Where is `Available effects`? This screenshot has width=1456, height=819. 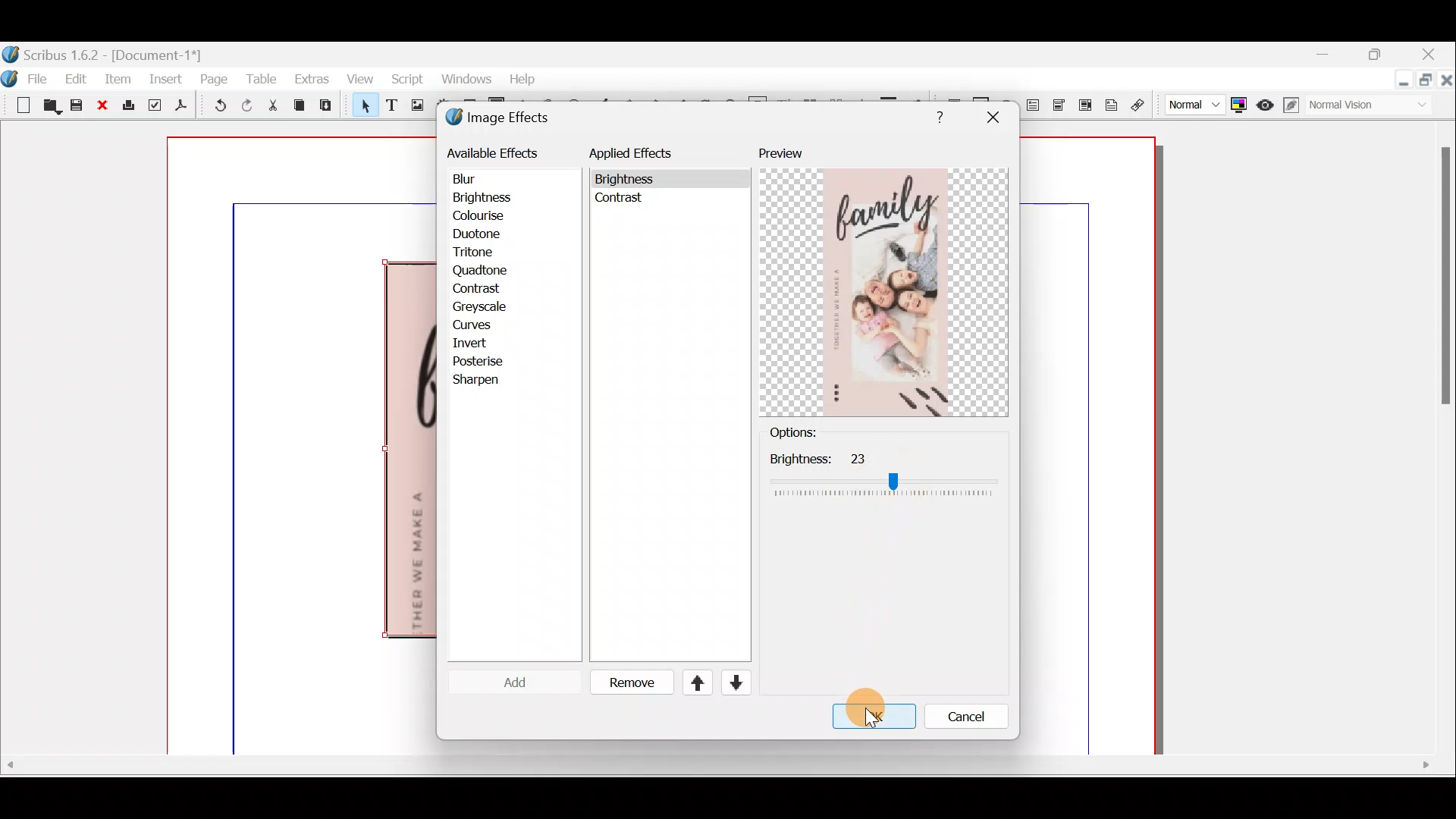
Available effects is located at coordinates (495, 152).